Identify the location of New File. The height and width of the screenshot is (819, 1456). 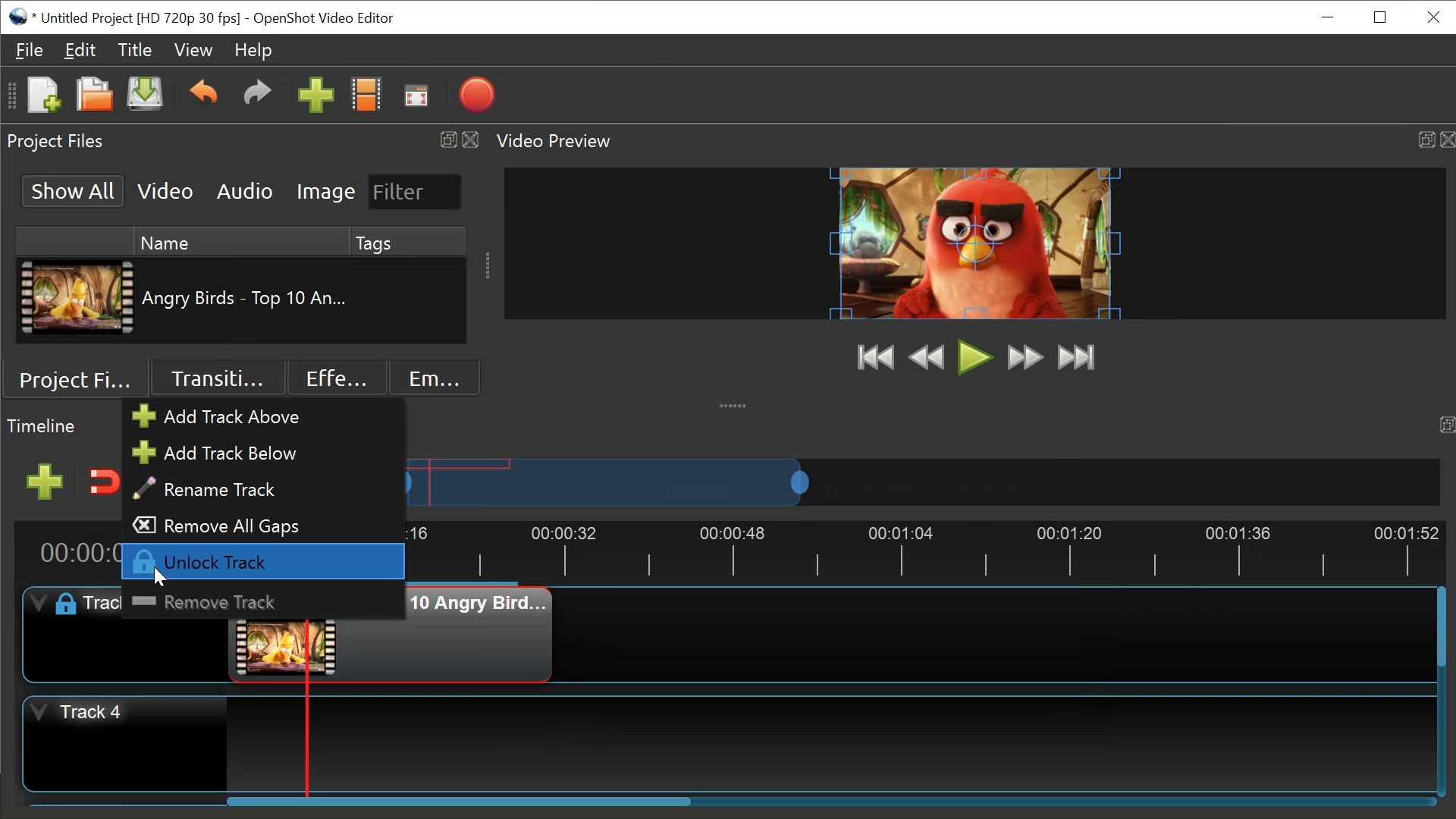
(44, 96).